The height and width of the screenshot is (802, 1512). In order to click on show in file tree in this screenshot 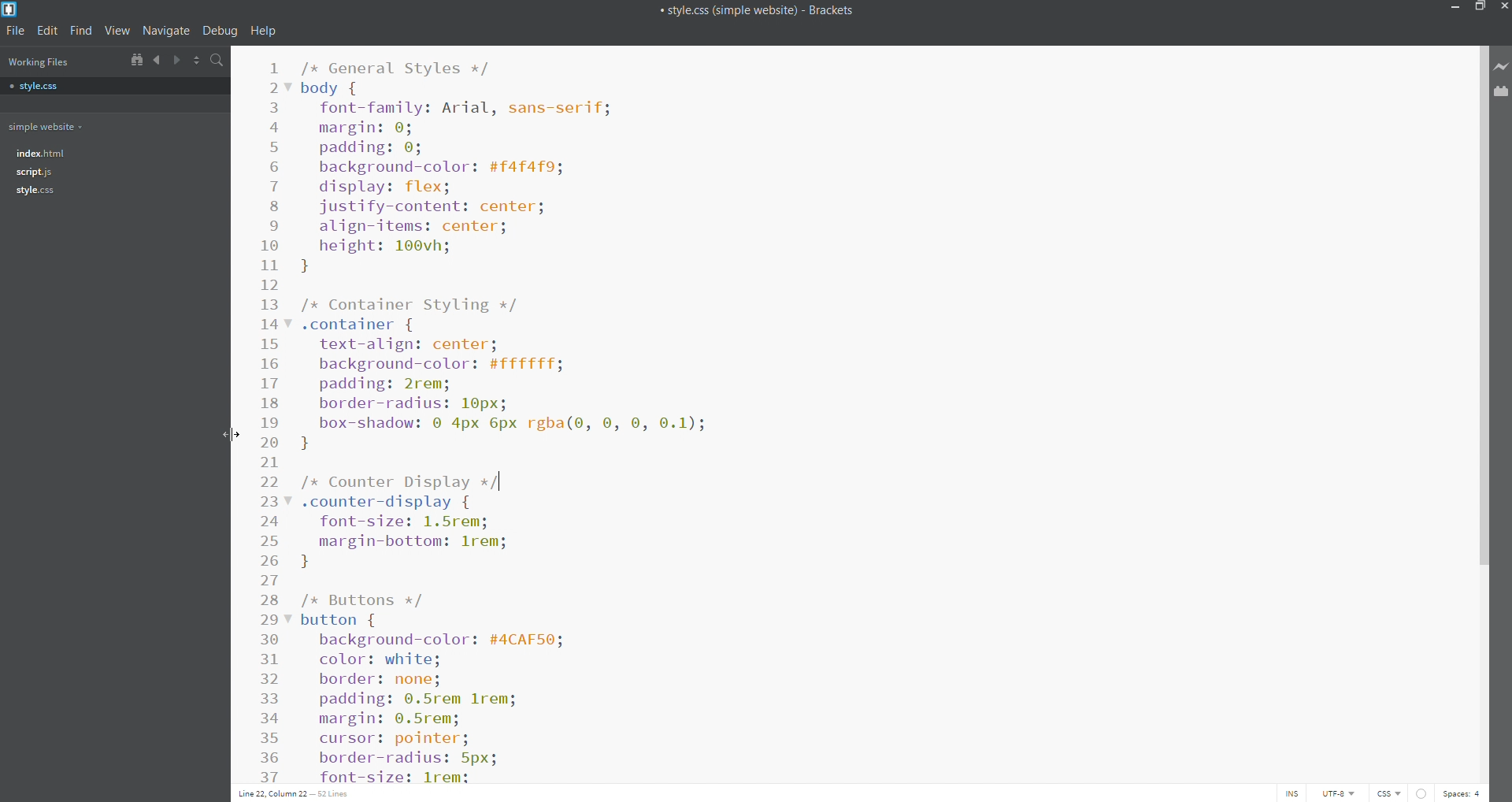, I will do `click(135, 60)`.